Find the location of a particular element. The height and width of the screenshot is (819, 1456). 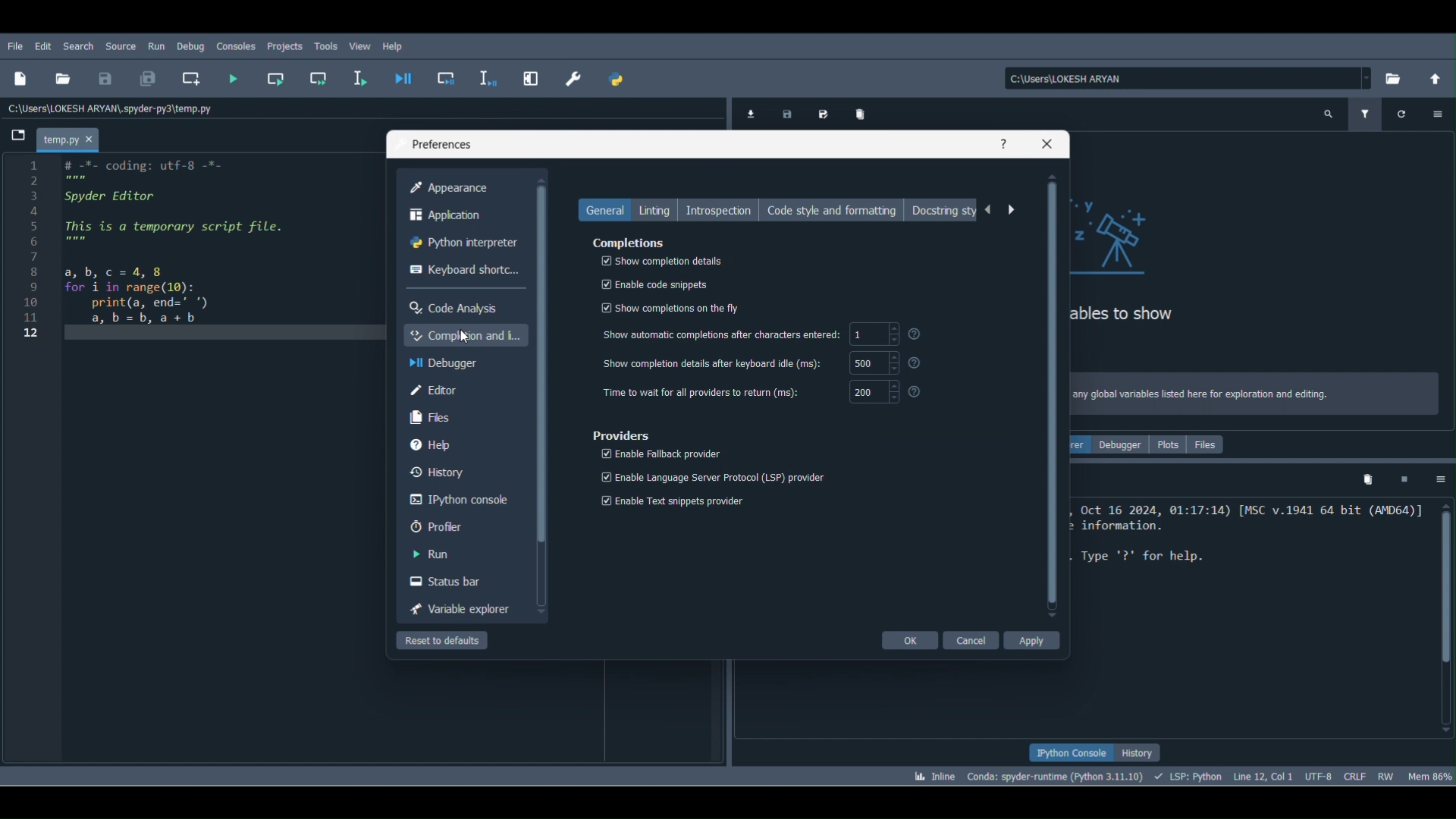

Run file (F5) is located at coordinates (235, 78).